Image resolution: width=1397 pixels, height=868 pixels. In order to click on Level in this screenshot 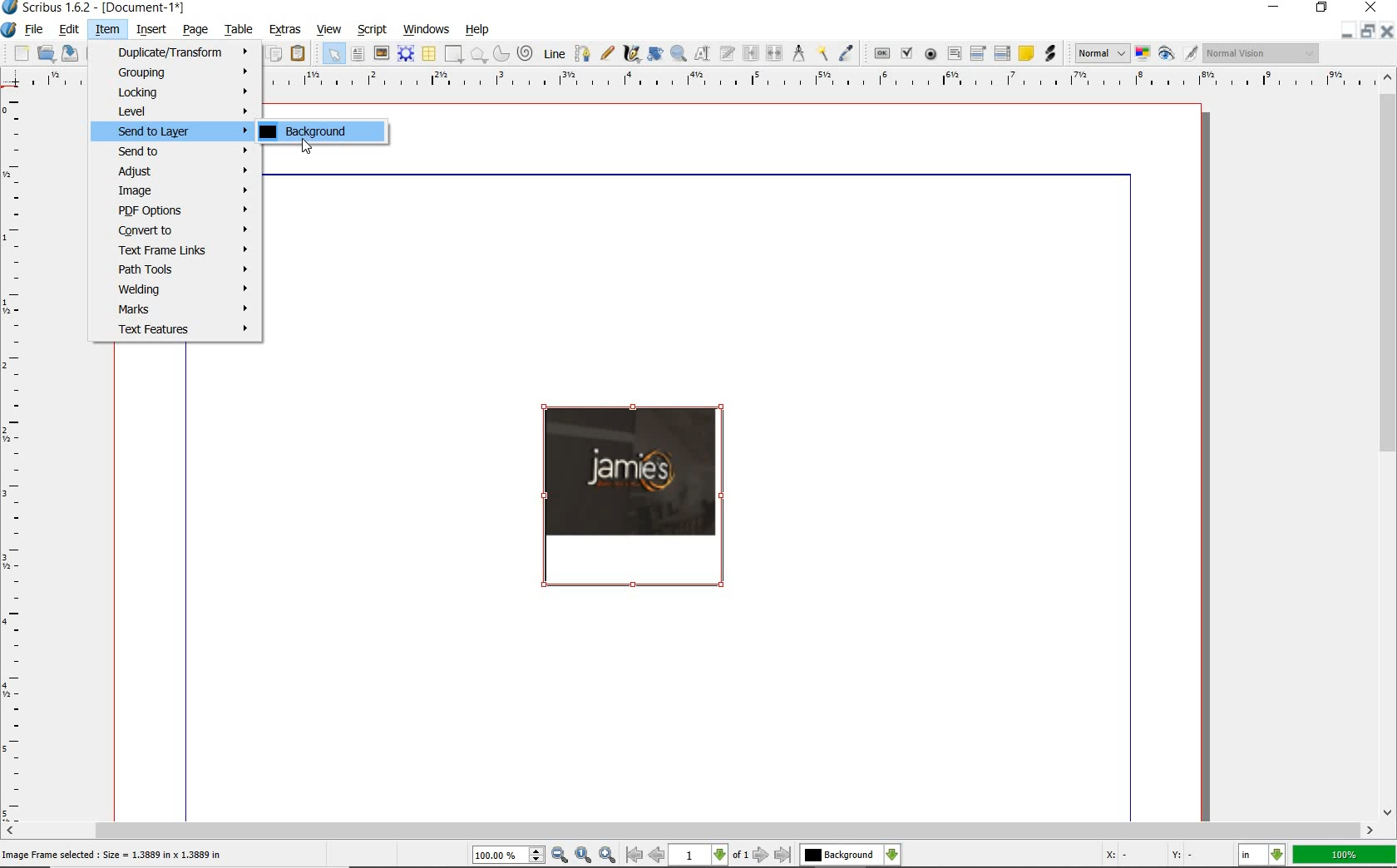, I will do `click(175, 111)`.